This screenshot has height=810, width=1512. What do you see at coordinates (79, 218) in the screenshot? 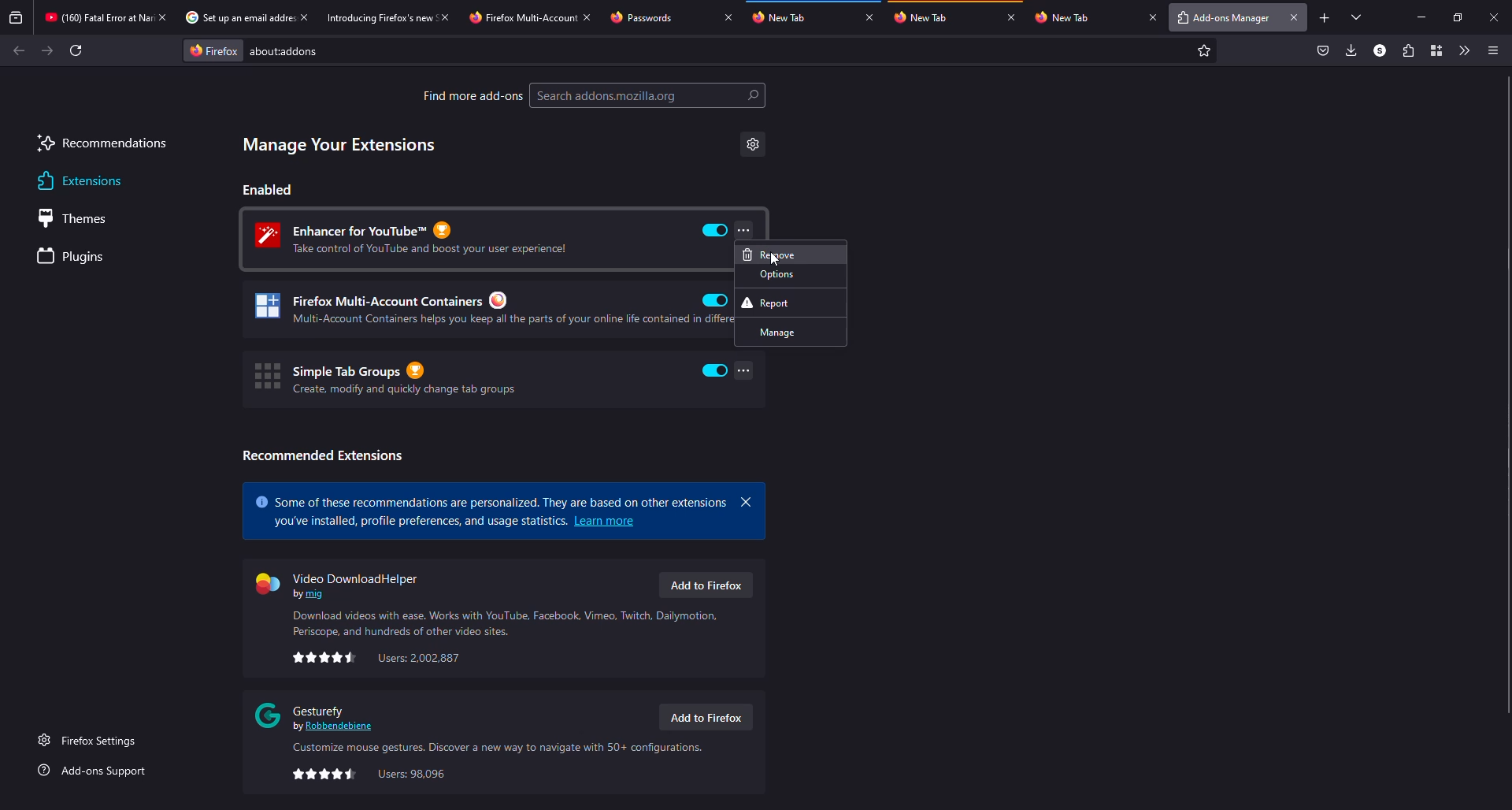
I see `themes` at bounding box center [79, 218].